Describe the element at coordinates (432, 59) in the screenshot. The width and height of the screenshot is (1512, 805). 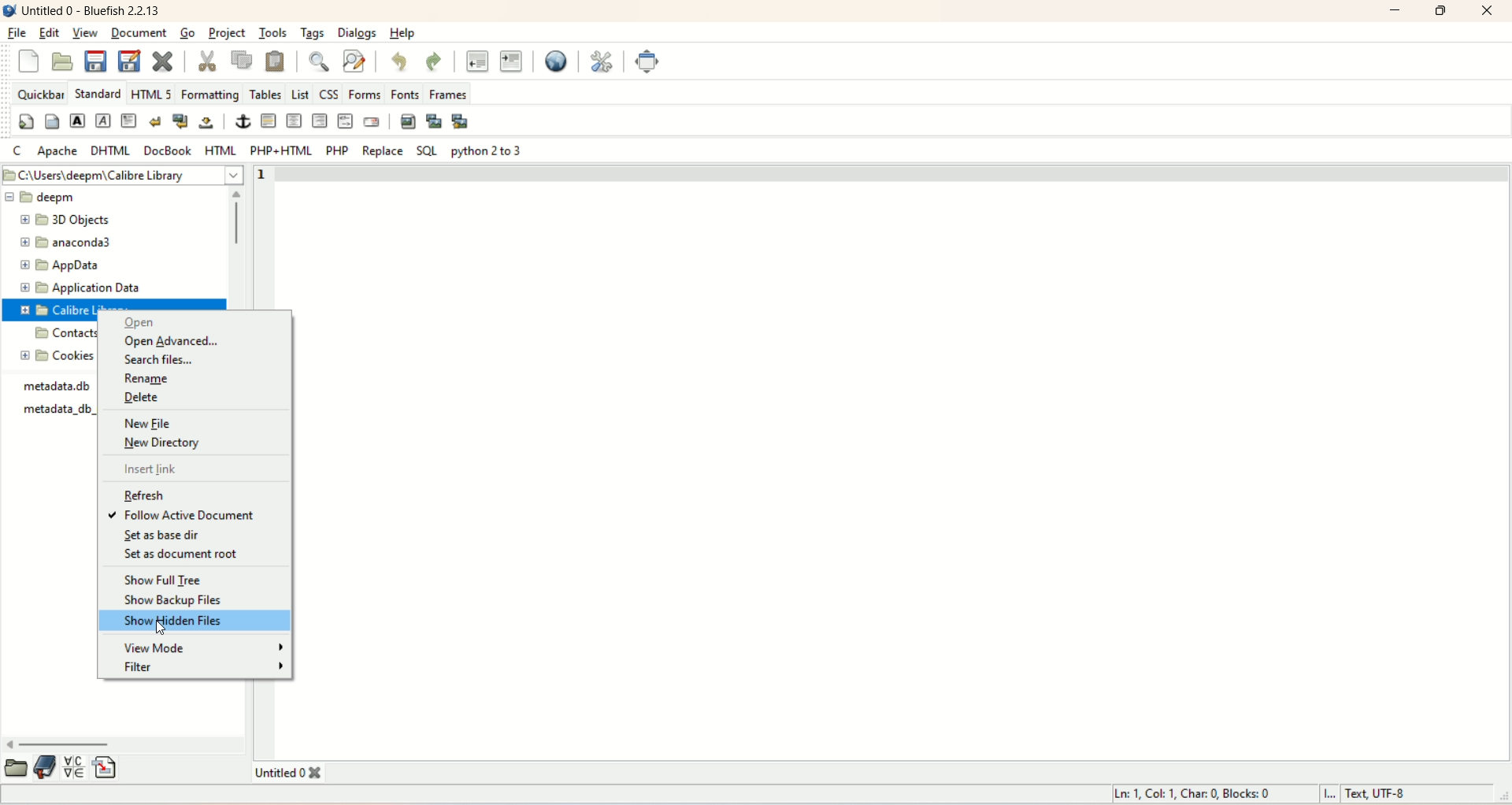
I see `redo` at that location.